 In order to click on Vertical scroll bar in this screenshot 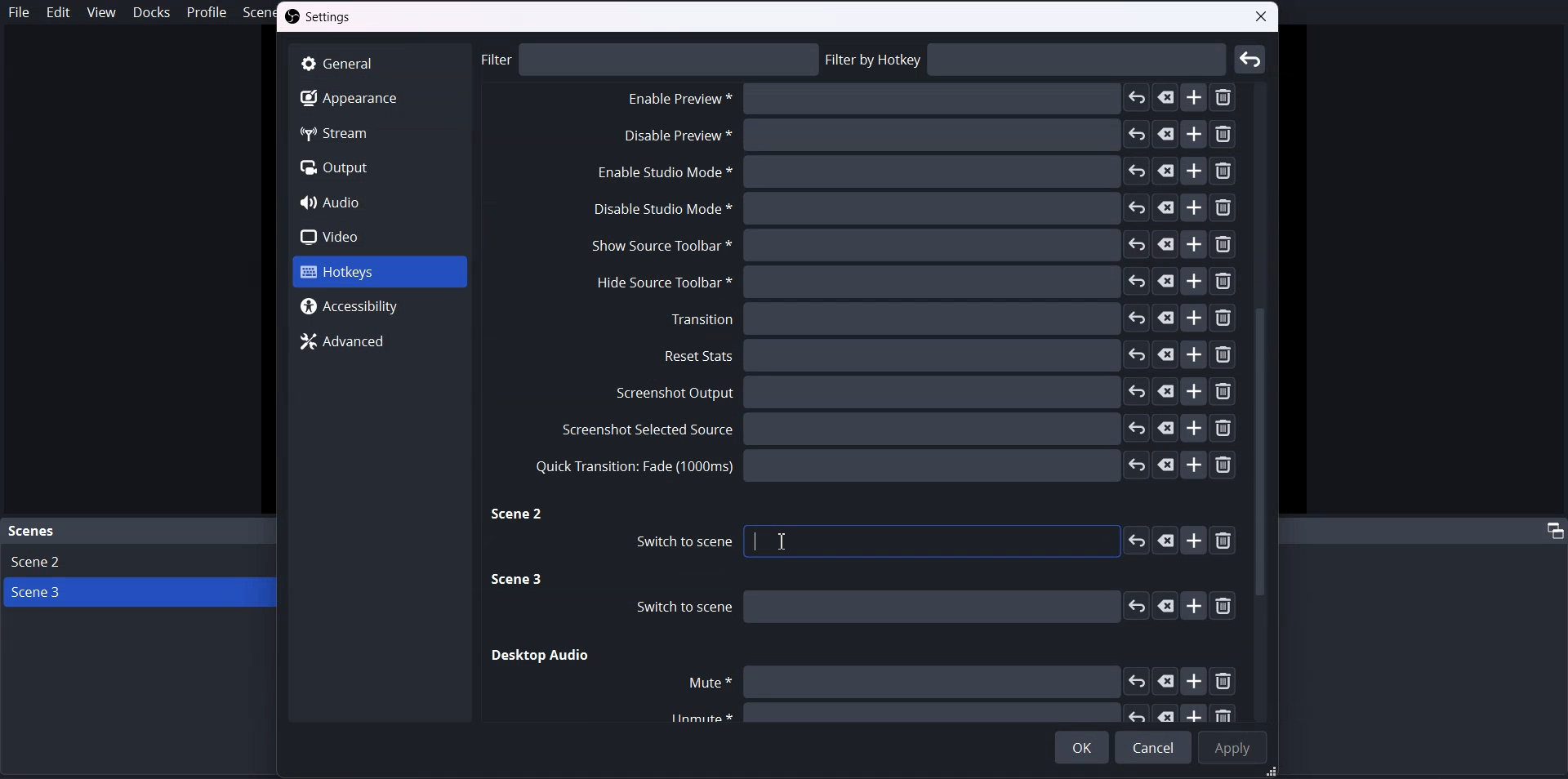, I will do `click(1263, 400)`.